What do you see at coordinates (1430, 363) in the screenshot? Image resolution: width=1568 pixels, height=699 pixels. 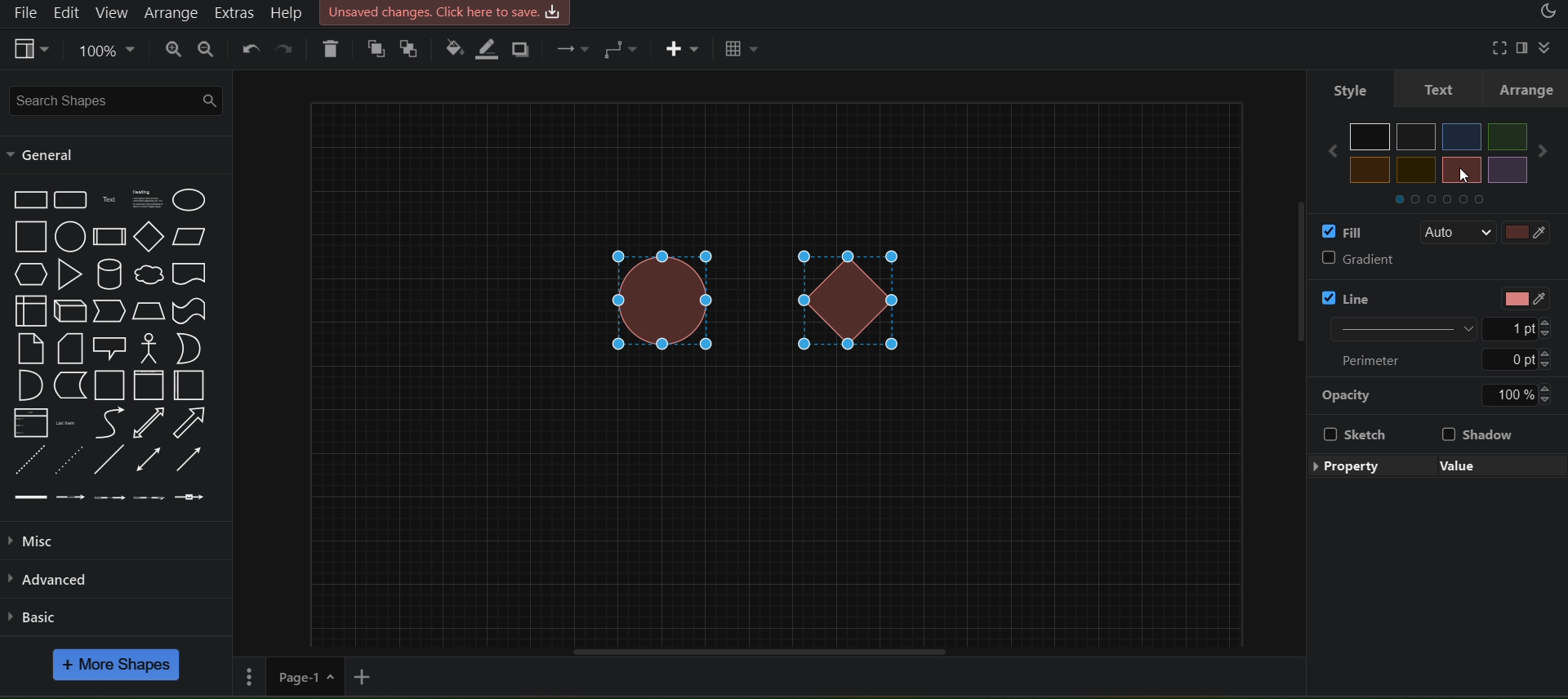 I see `Perimeter` at bounding box center [1430, 363].